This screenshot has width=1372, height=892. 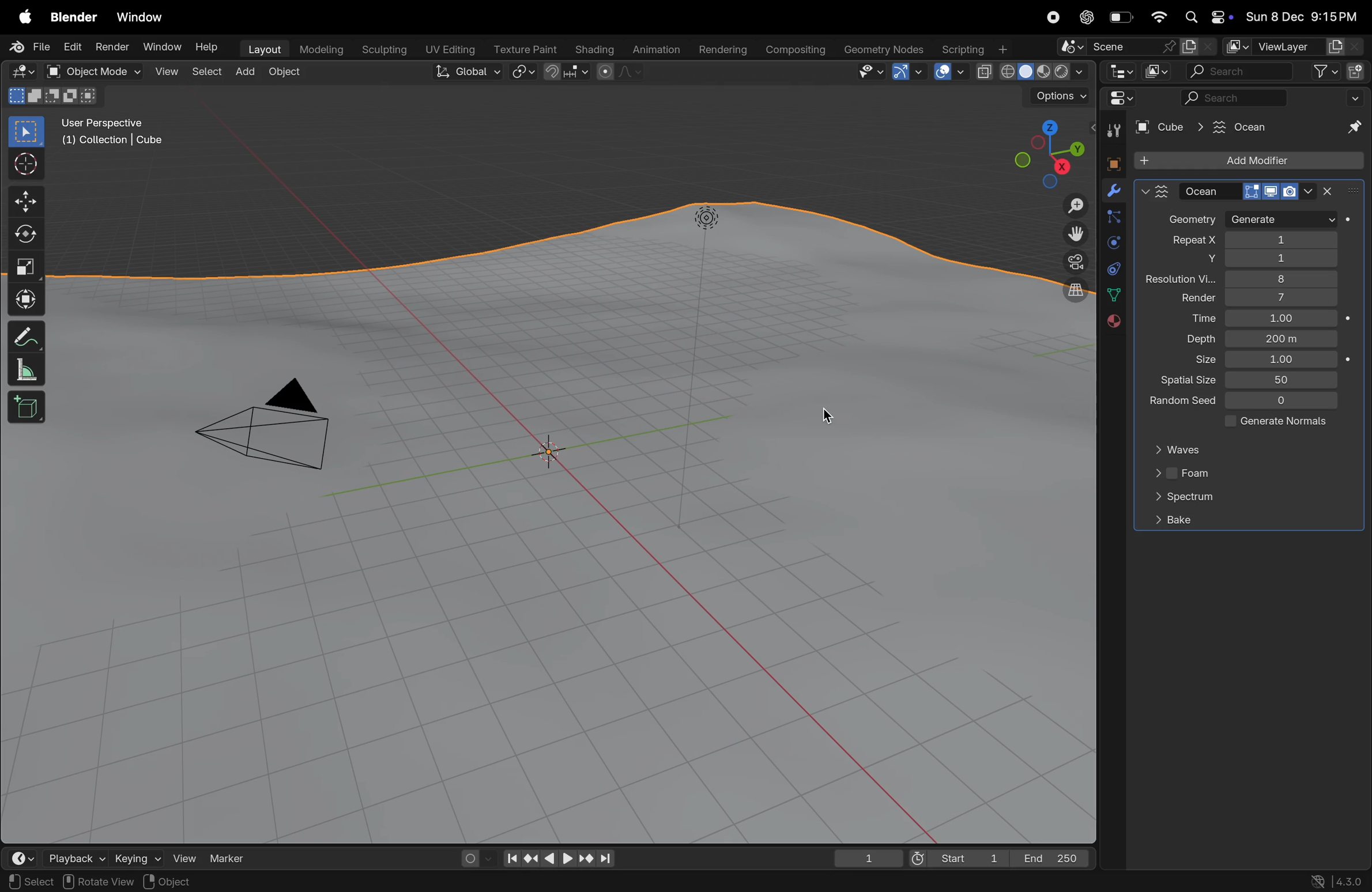 I want to click on deoth, so click(x=1197, y=339).